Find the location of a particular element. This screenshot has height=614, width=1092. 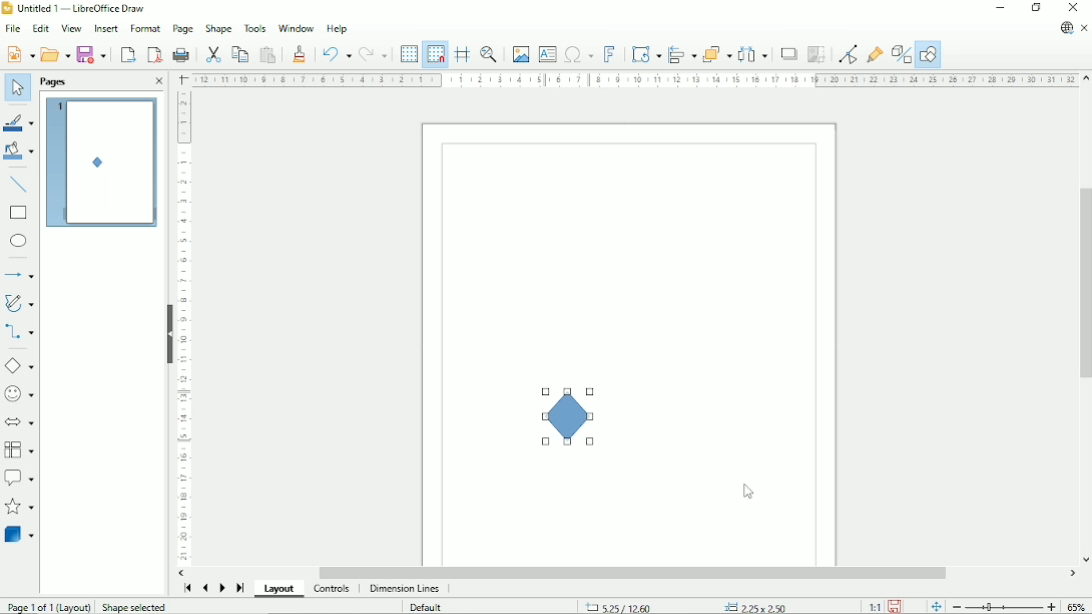

Show draw functions is located at coordinates (929, 54).